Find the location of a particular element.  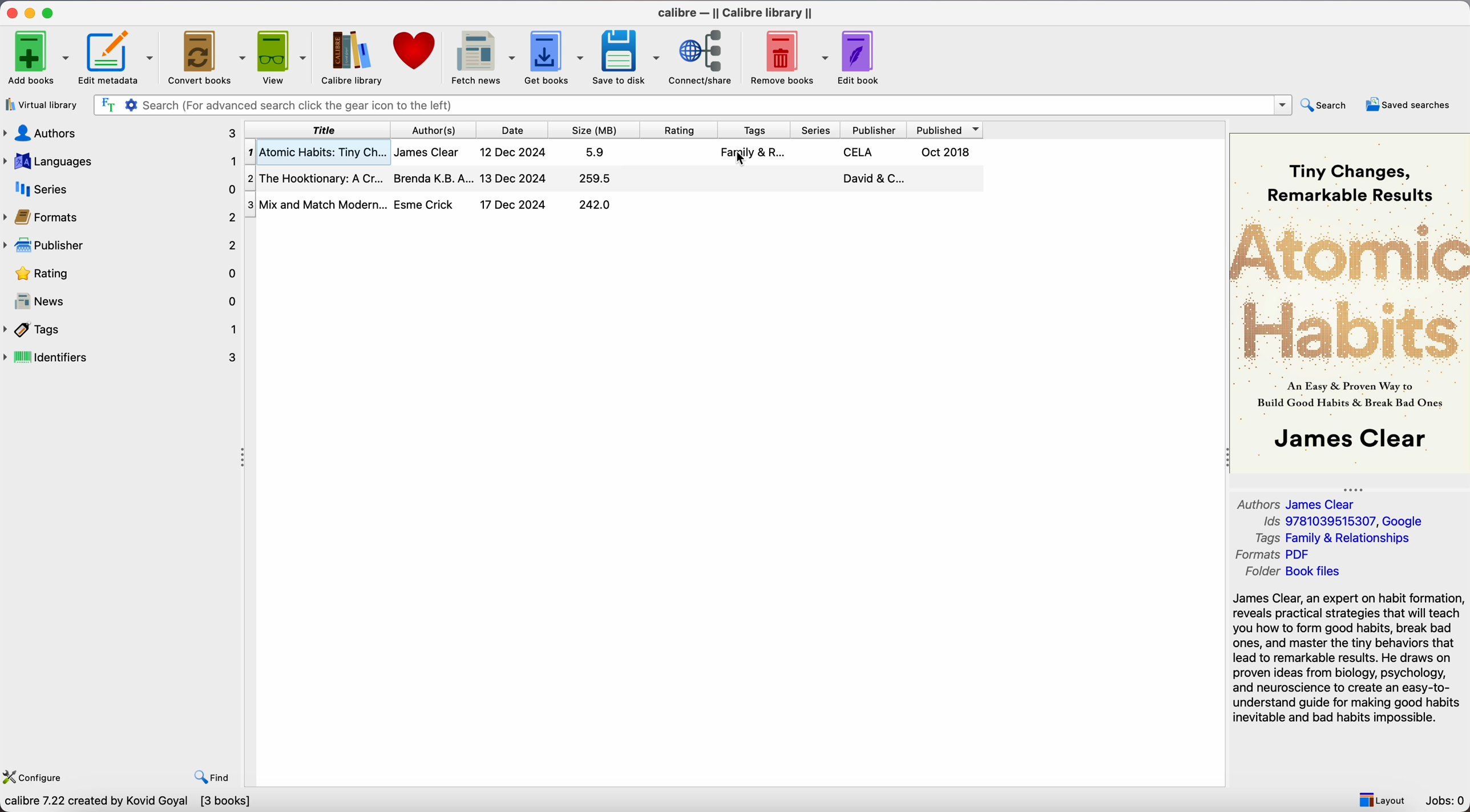

close program is located at coordinates (12, 12).